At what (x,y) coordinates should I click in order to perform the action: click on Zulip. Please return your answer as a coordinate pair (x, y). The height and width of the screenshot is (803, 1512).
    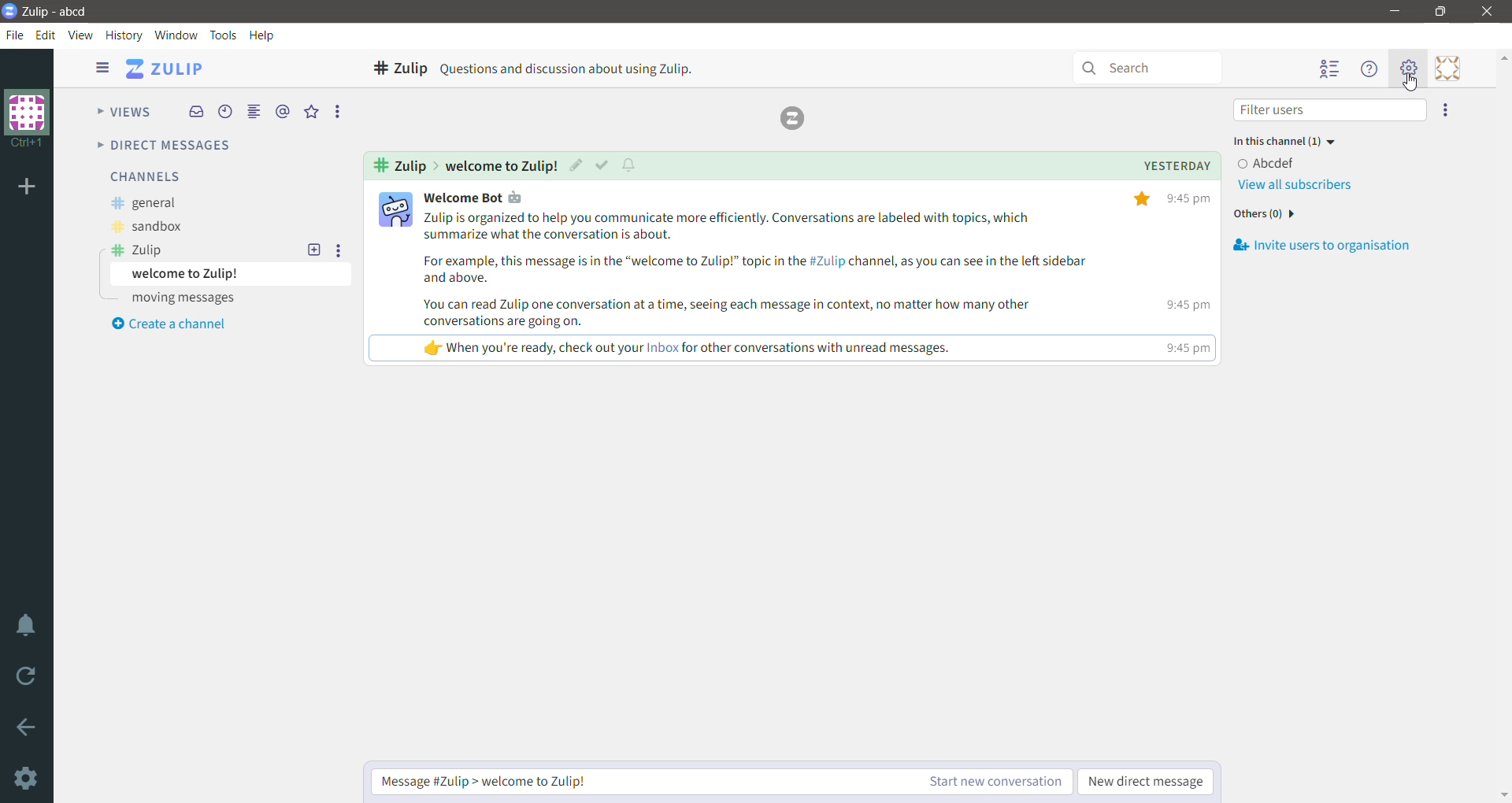
    Looking at the image, I should click on (139, 250).